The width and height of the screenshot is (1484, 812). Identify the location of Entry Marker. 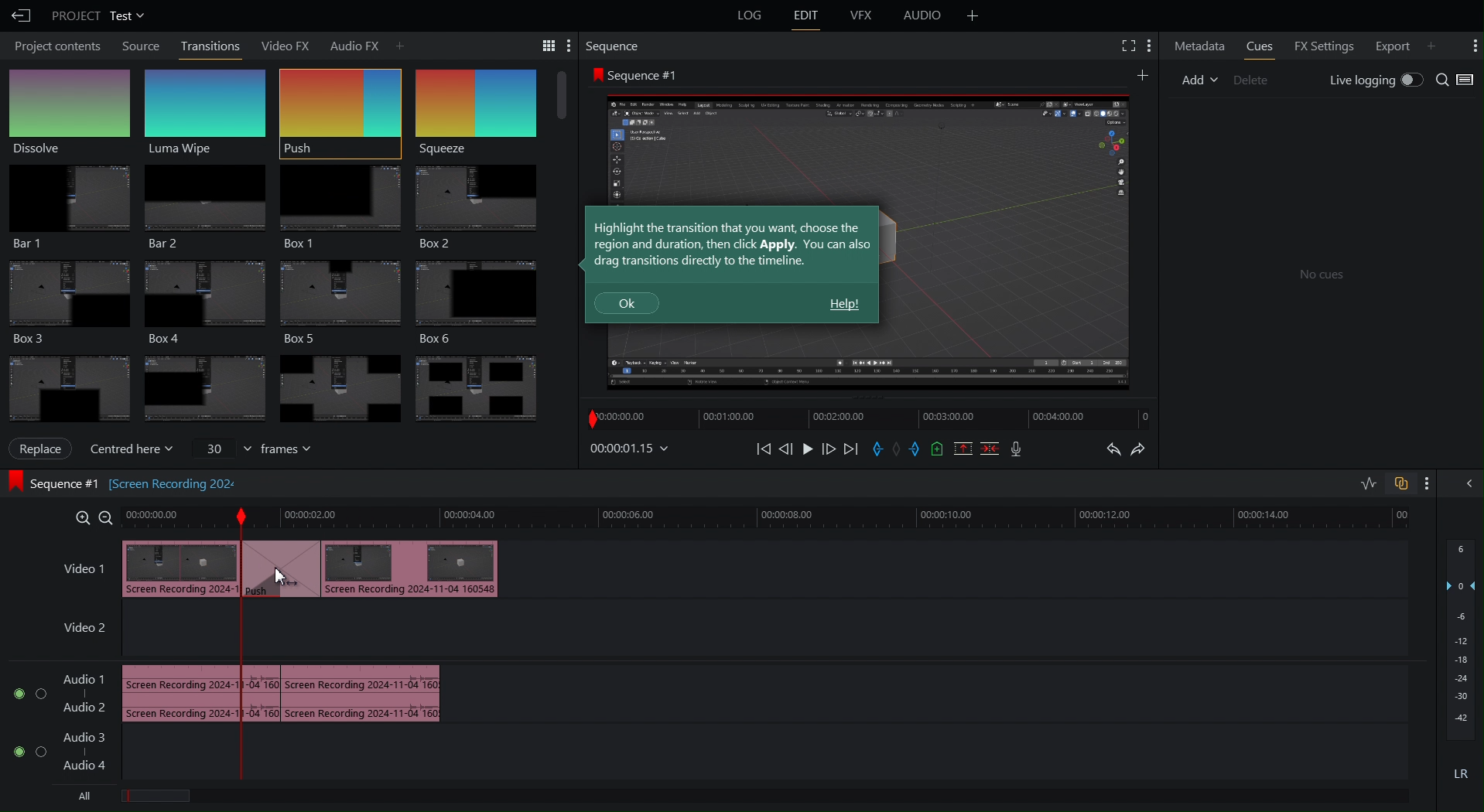
(878, 450).